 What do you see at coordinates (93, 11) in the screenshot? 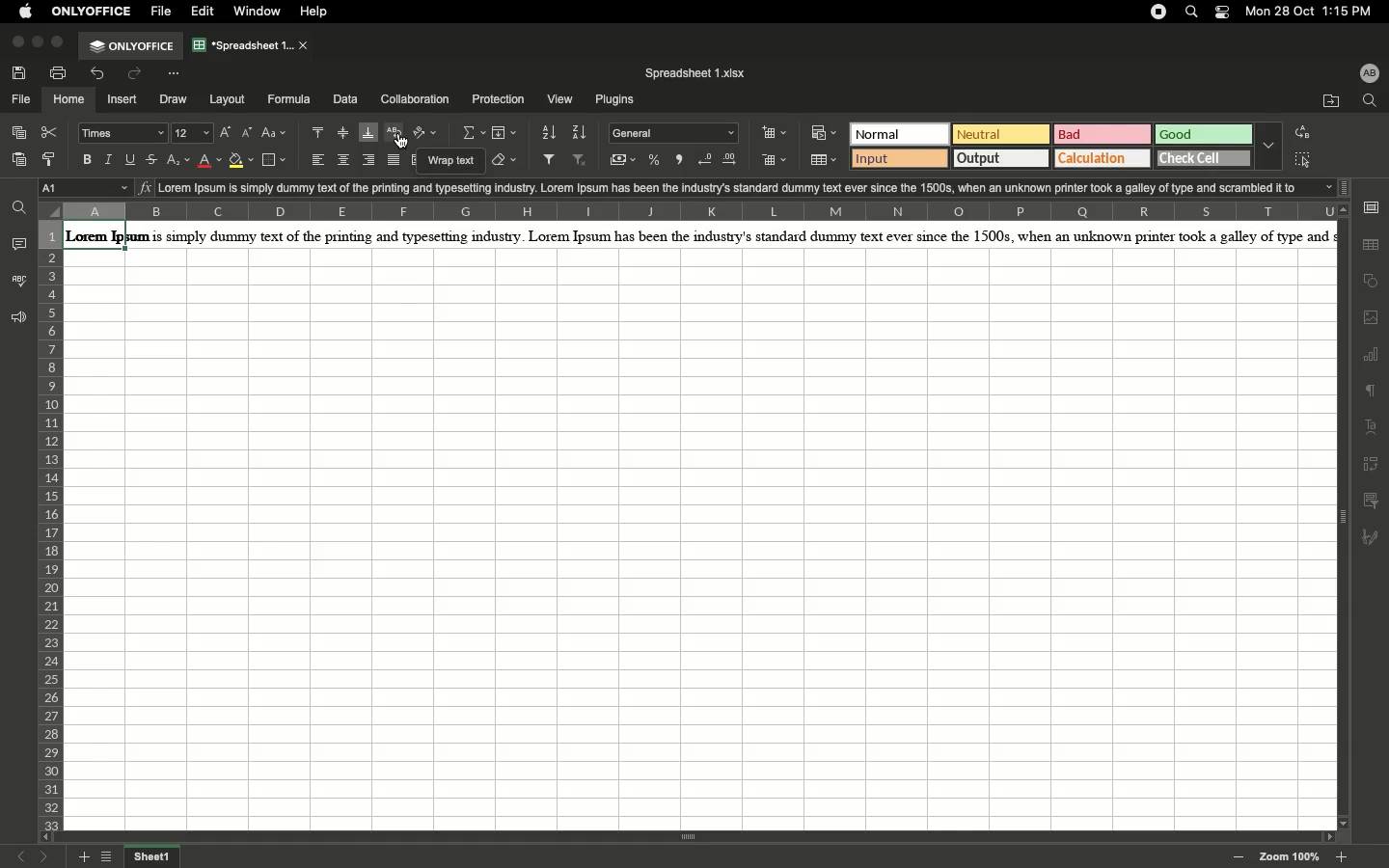
I see `OnlyOffice` at bounding box center [93, 11].